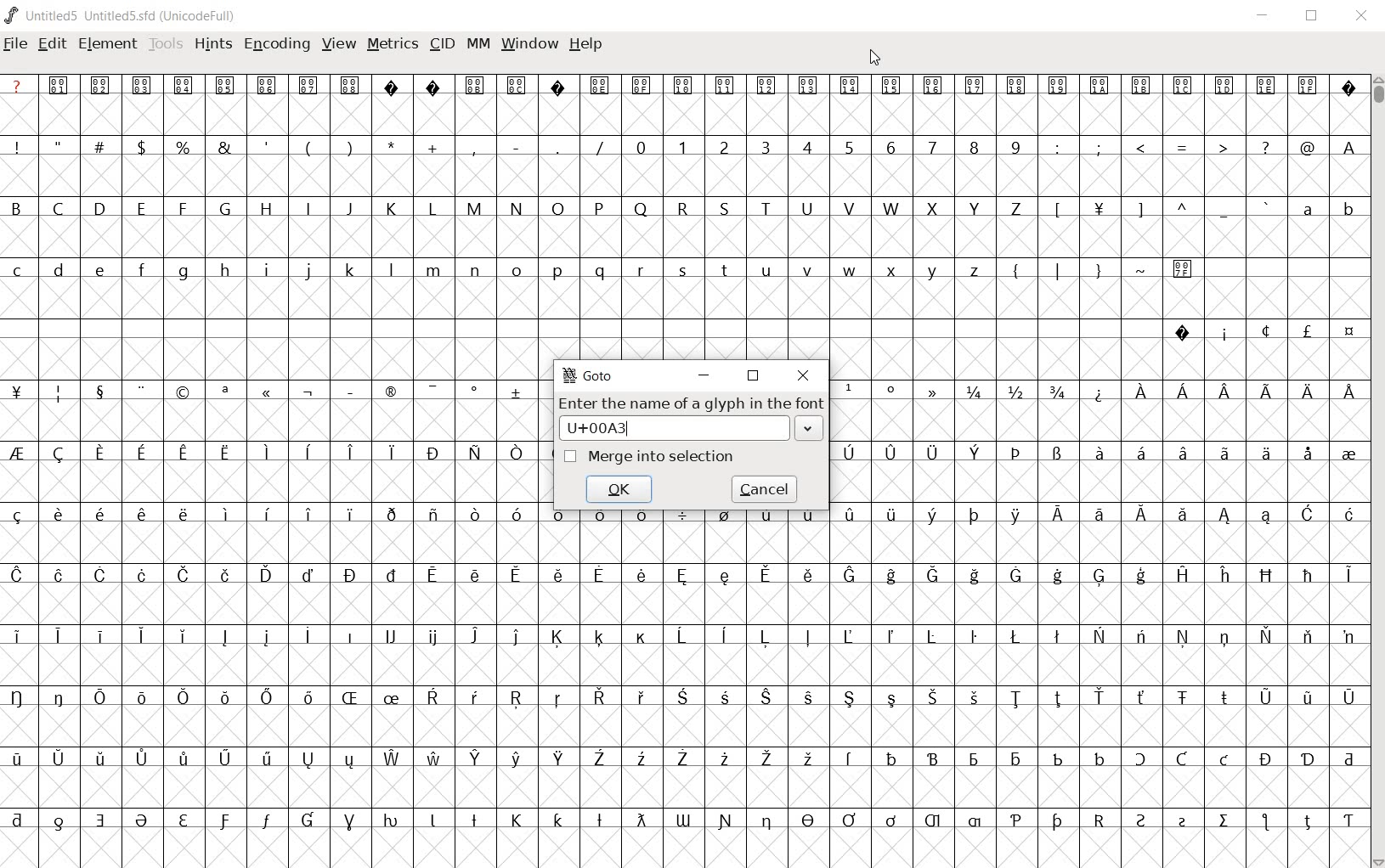 The width and height of the screenshot is (1385, 868). I want to click on Symbol, so click(1309, 516).